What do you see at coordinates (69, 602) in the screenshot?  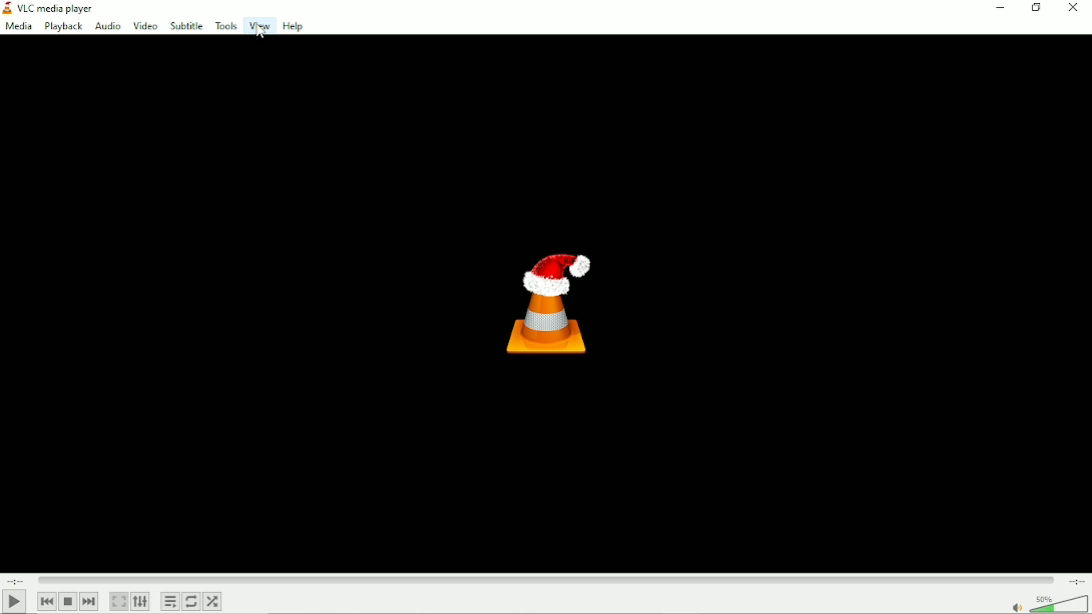 I see `Stop playback` at bounding box center [69, 602].